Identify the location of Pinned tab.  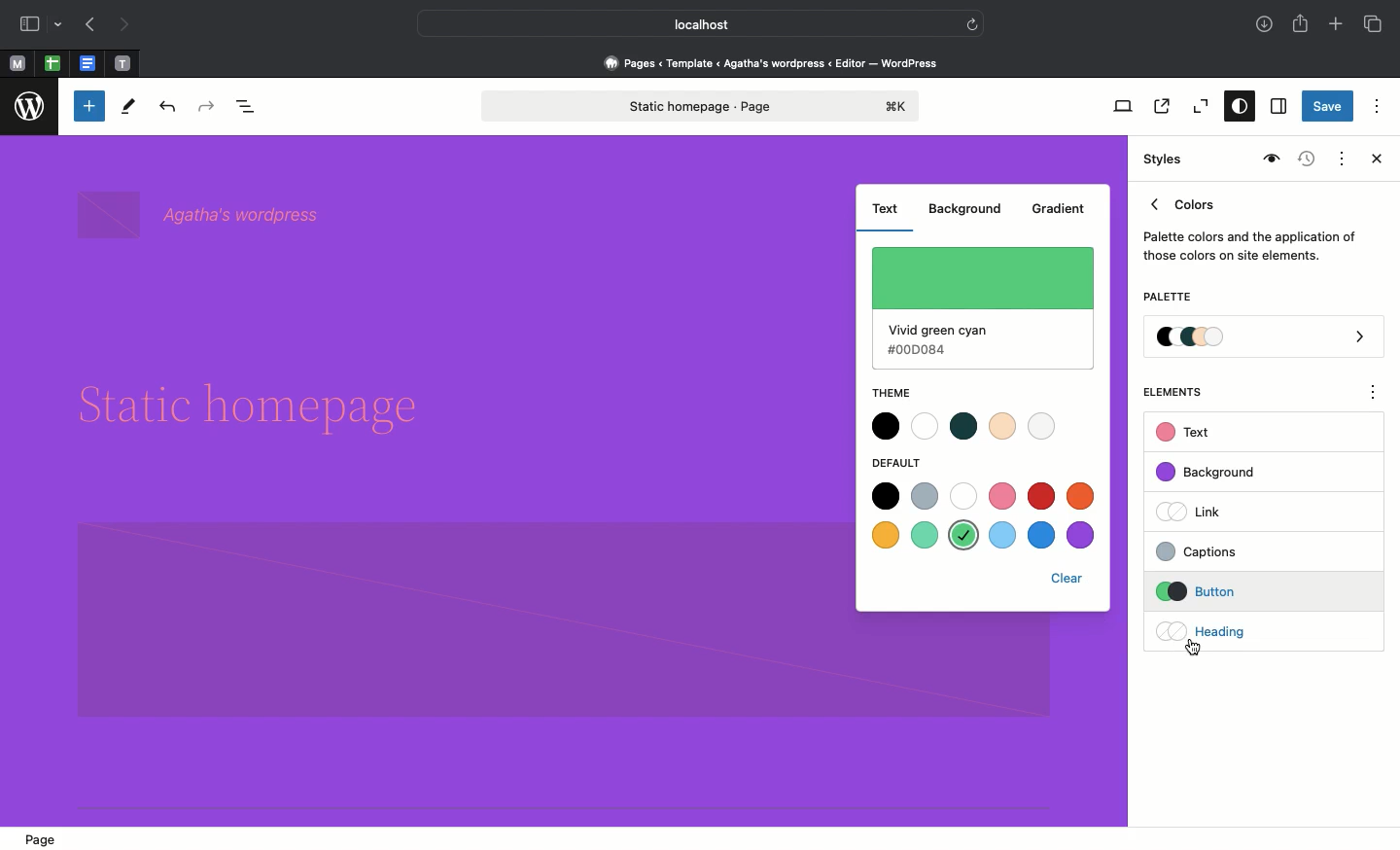
(52, 64).